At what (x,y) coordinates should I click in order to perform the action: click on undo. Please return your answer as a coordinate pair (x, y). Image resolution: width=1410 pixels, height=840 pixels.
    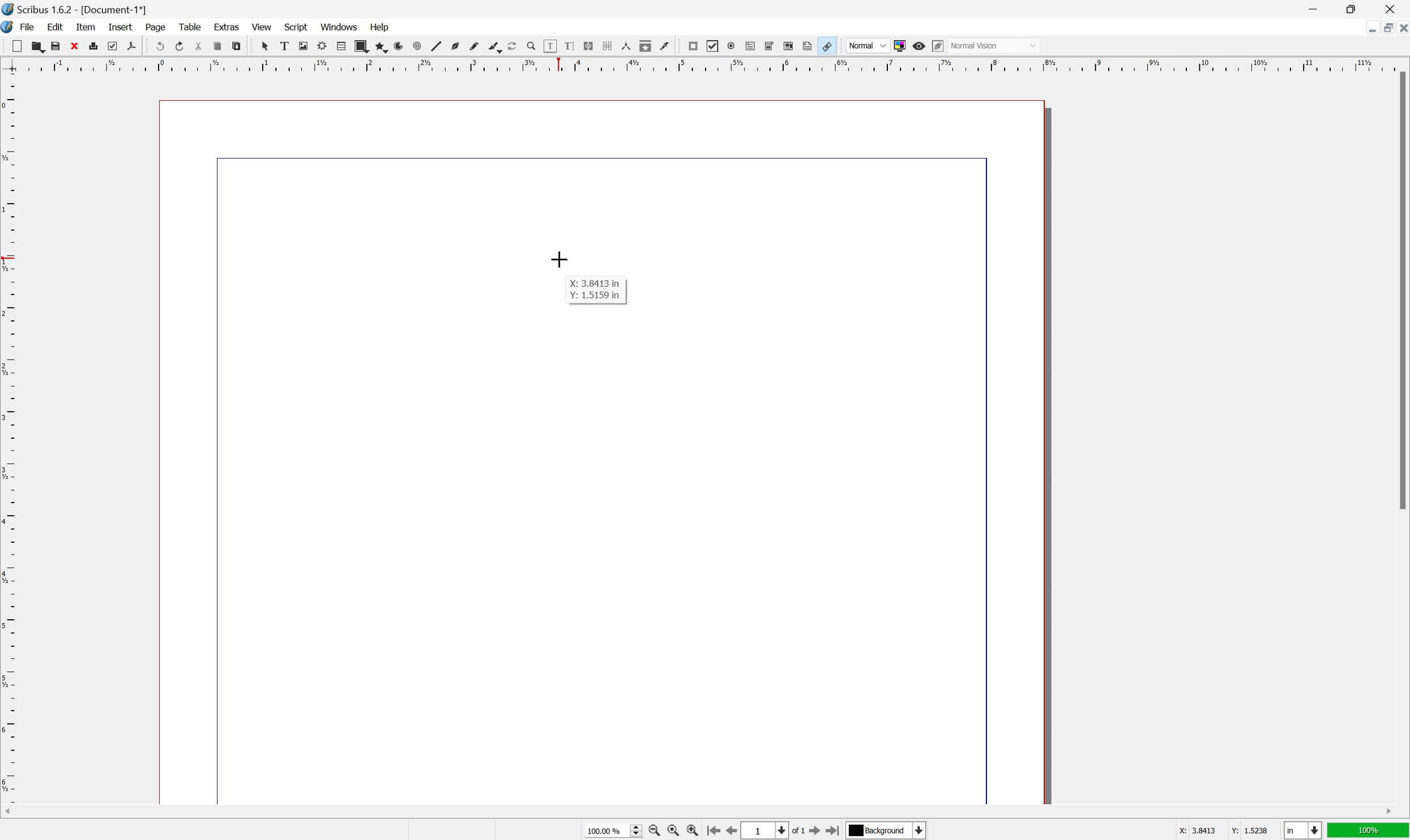
    Looking at the image, I should click on (158, 45).